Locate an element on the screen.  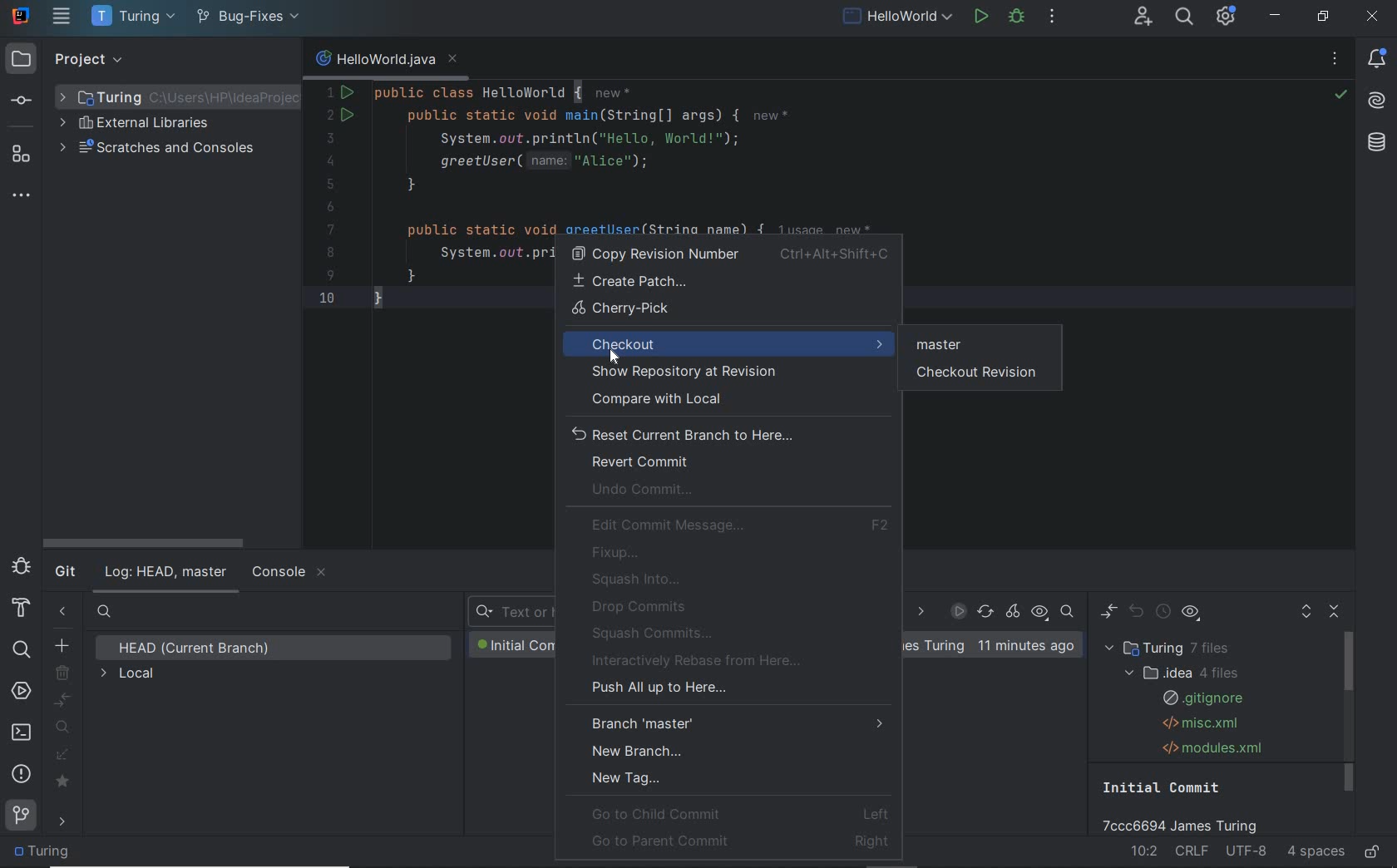
copy revision number is located at coordinates (729, 254).